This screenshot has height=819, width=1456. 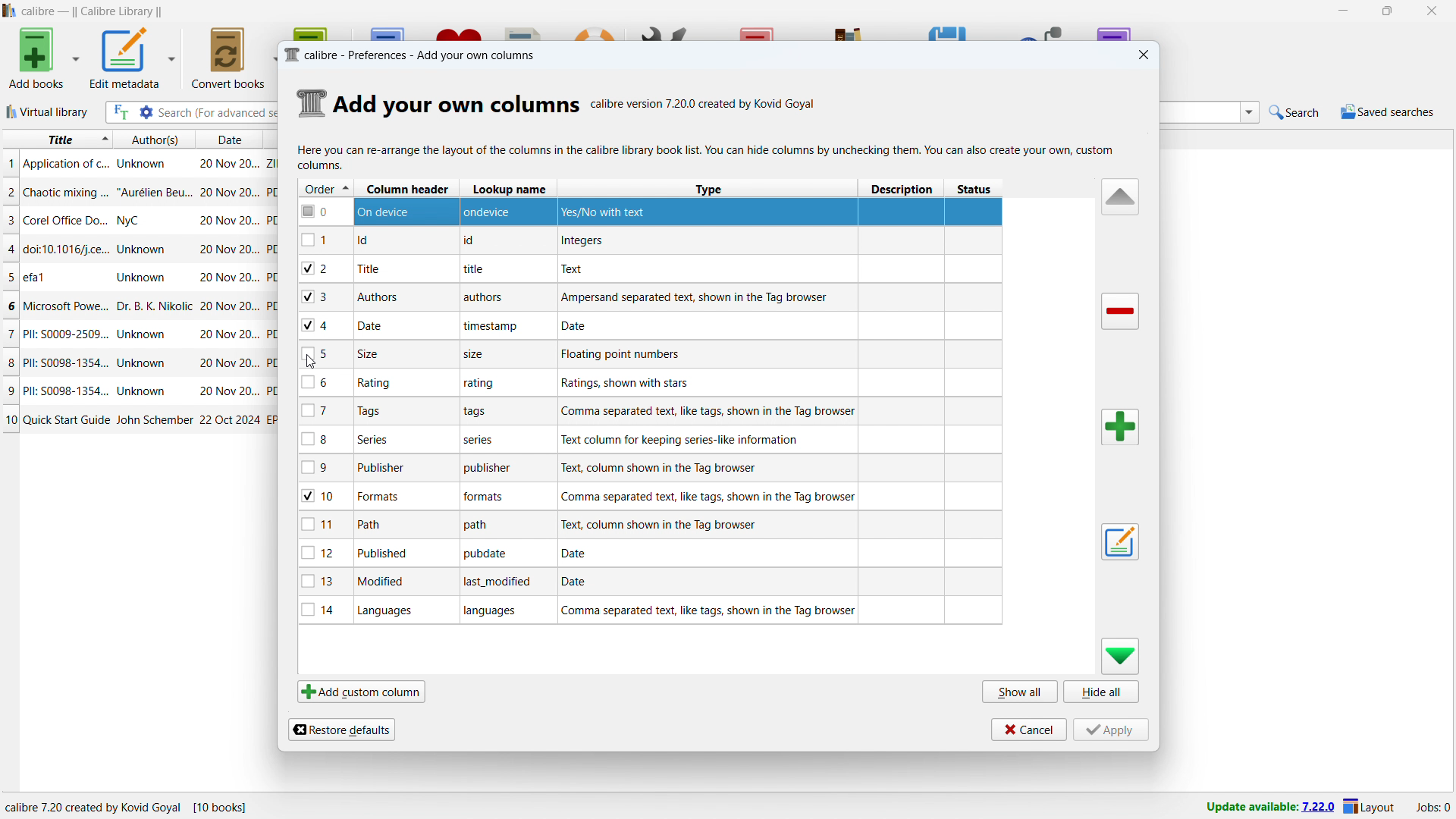 What do you see at coordinates (372, 326) in the screenshot?
I see `date` at bounding box center [372, 326].